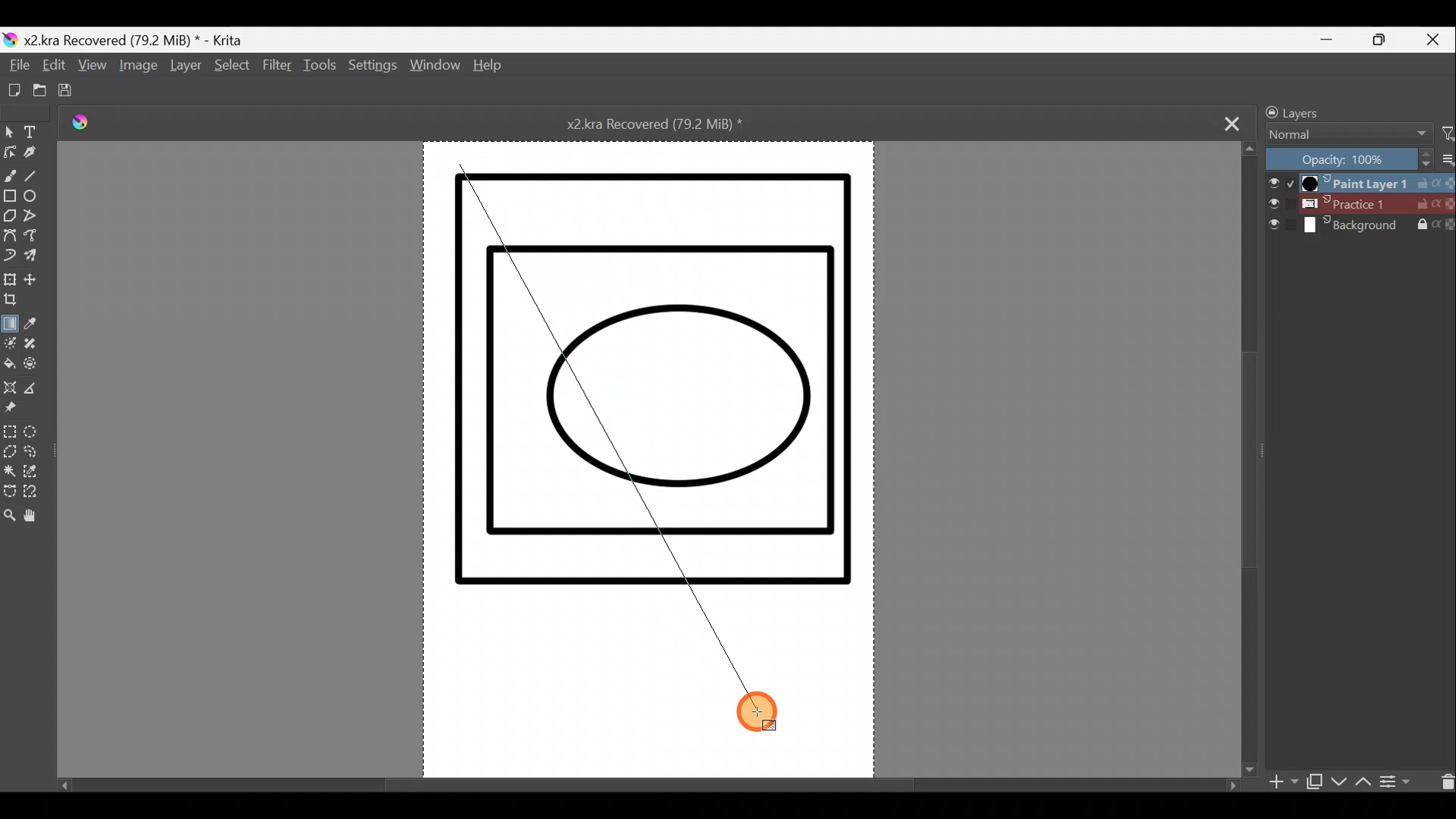  Describe the element at coordinates (11, 256) in the screenshot. I see `Dynamic brush tool` at that location.